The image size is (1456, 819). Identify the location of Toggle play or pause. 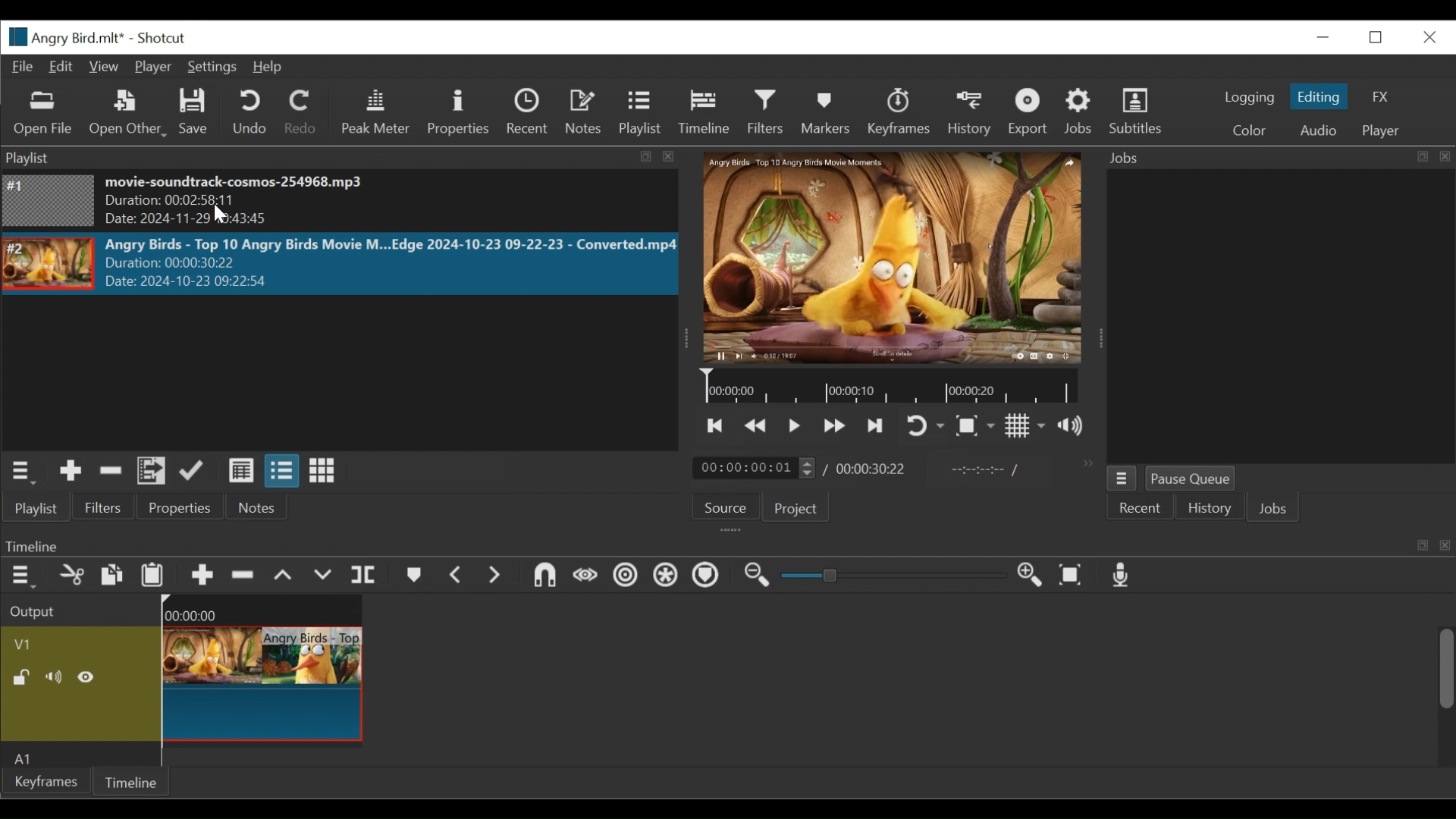
(795, 426).